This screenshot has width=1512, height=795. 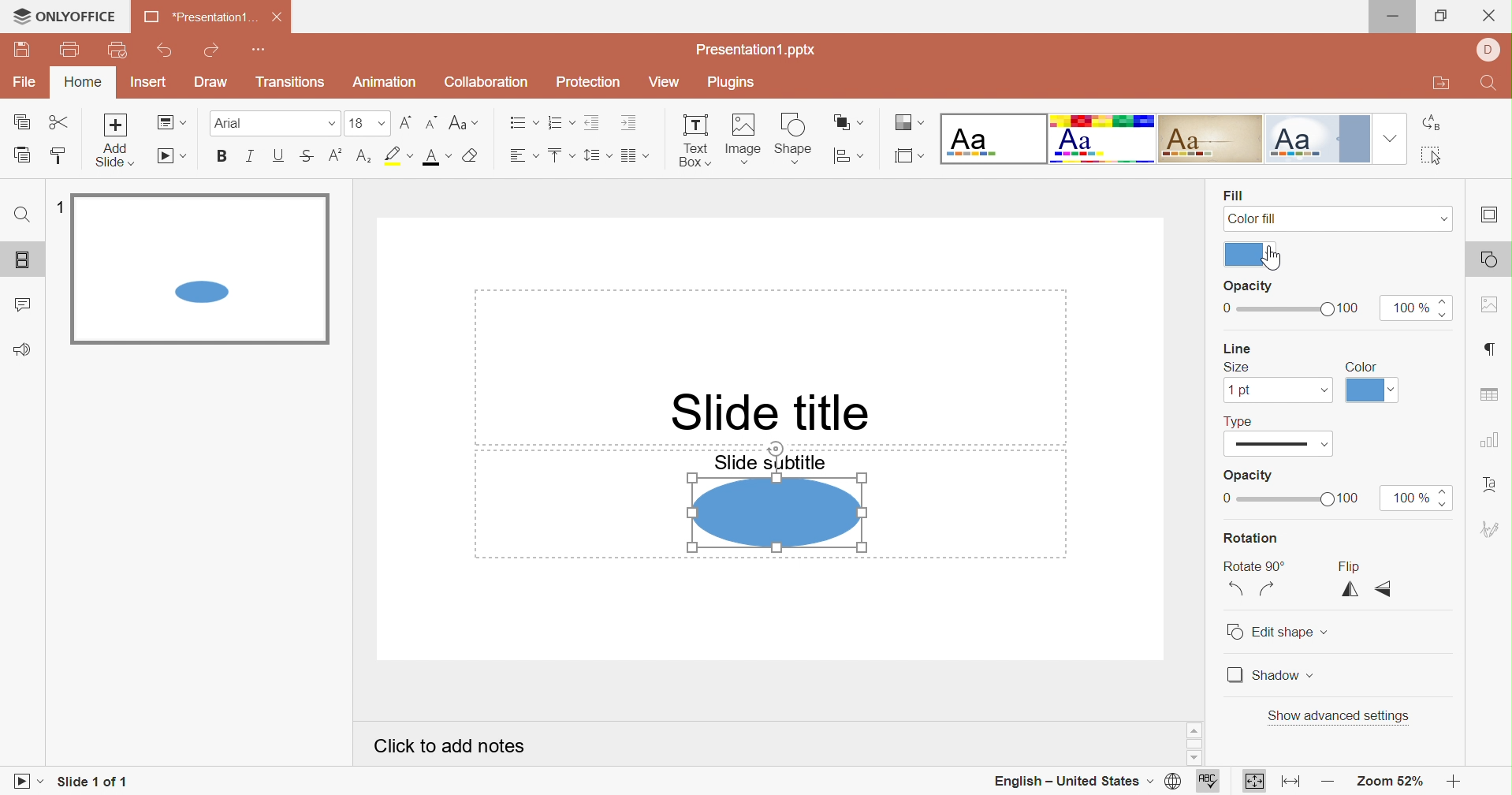 What do you see at coordinates (436, 157) in the screenshot?
I see `Font color` at bounding box center [436, 157].